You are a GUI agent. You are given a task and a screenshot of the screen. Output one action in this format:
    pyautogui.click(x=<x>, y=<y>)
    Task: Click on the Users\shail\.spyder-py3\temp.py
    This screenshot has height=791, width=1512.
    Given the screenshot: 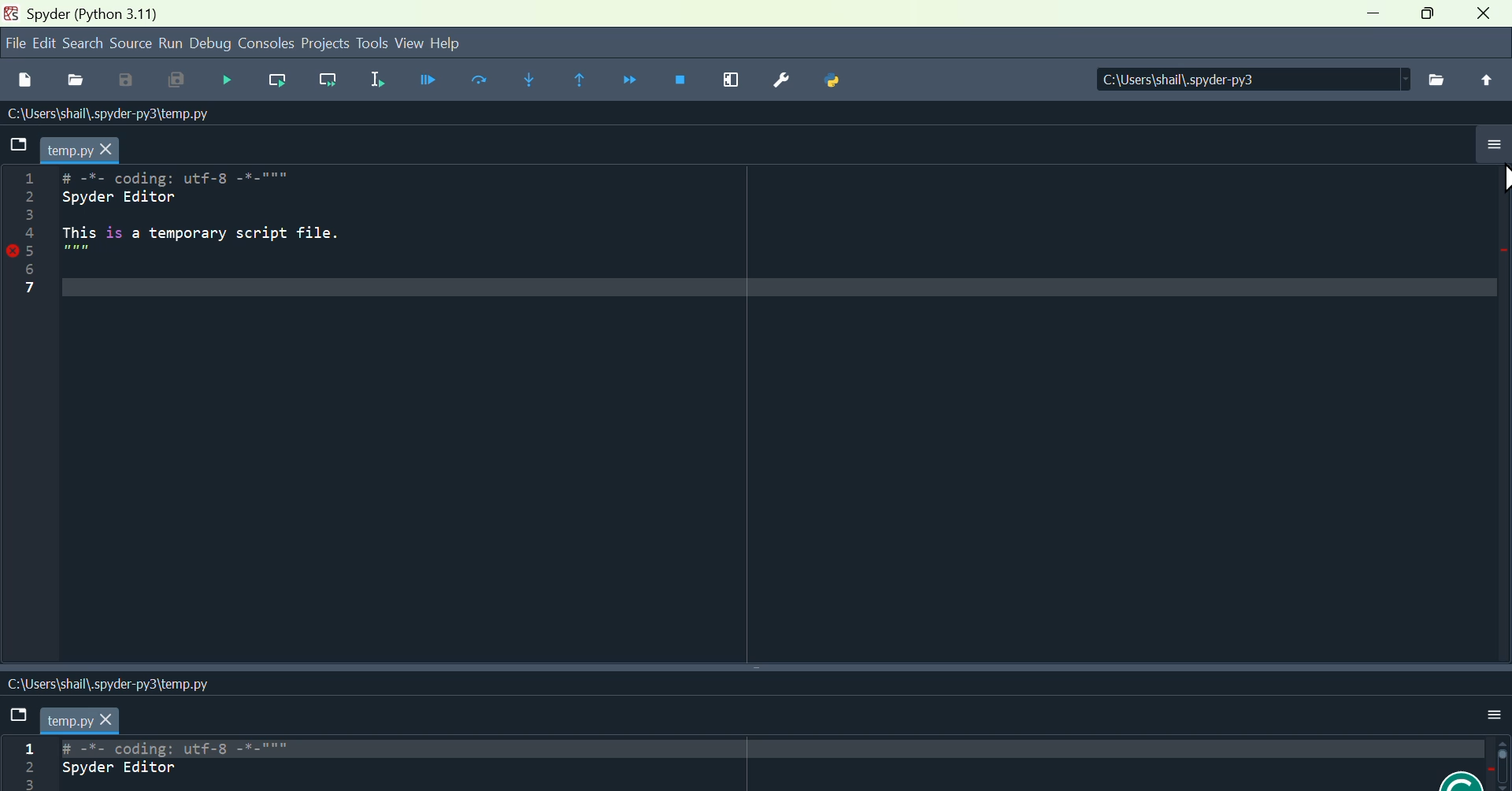 What is the action you would take?
    pyautogui.click(x=116, y=117)
    